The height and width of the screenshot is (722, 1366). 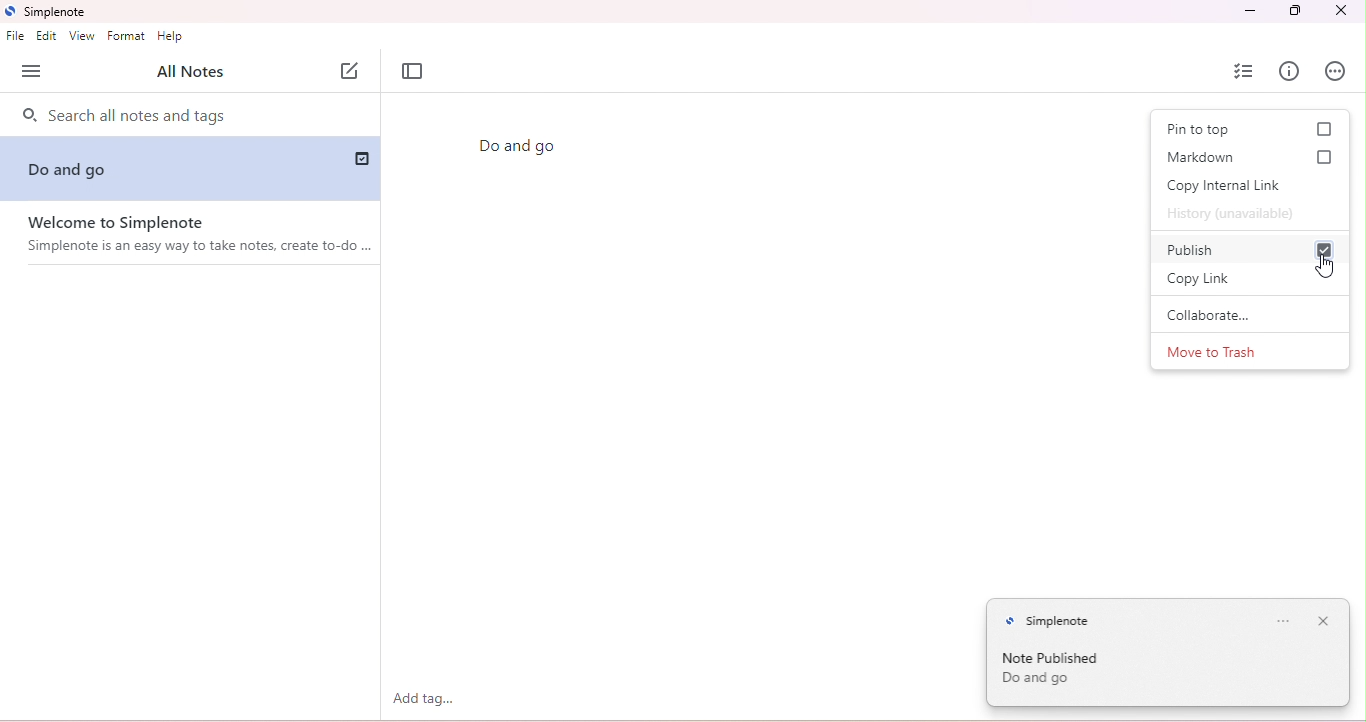 I want to click on copy link, so click(x=1222, y=278).